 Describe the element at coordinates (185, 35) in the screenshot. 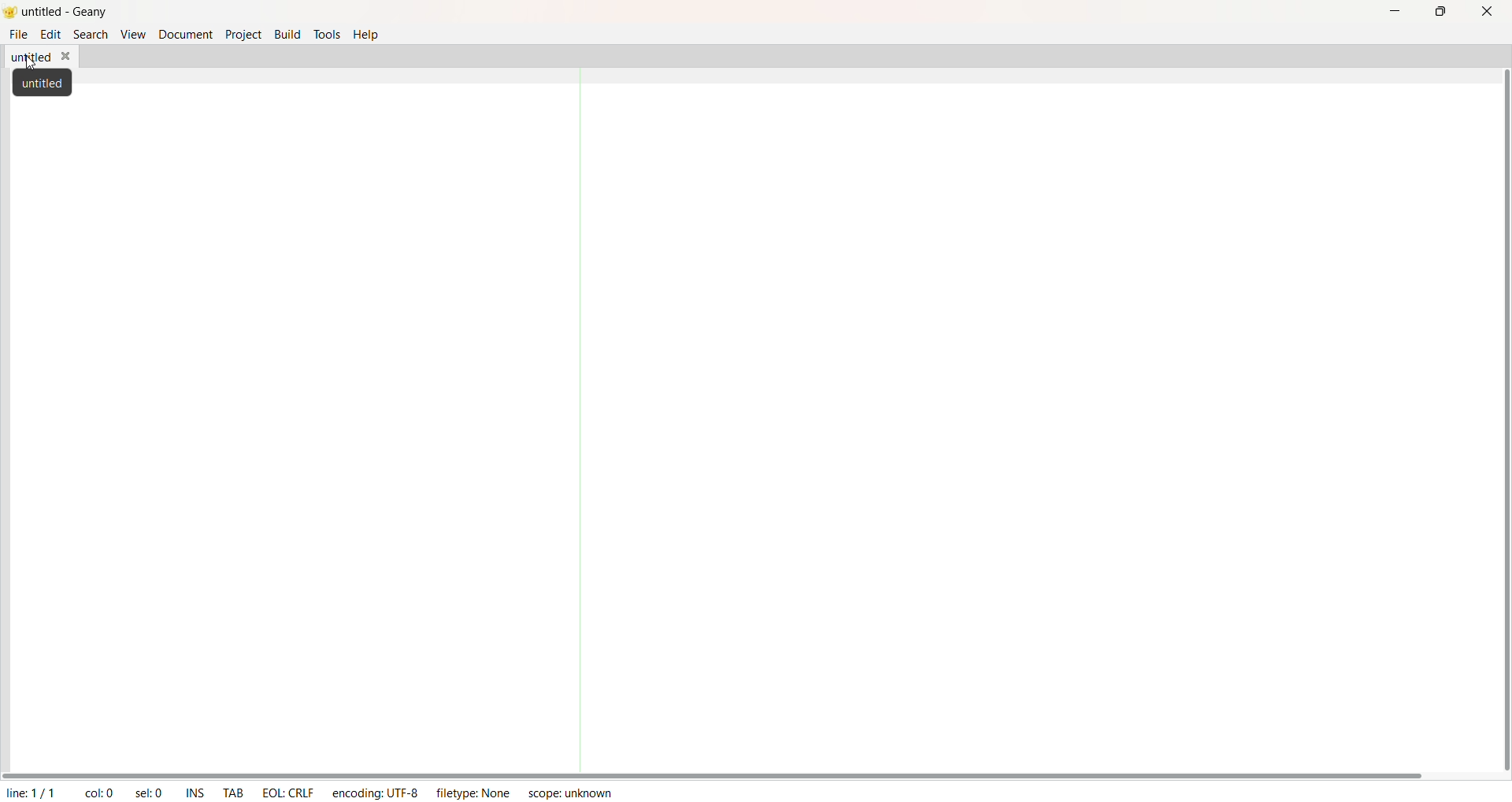

I see `Document` at that location.